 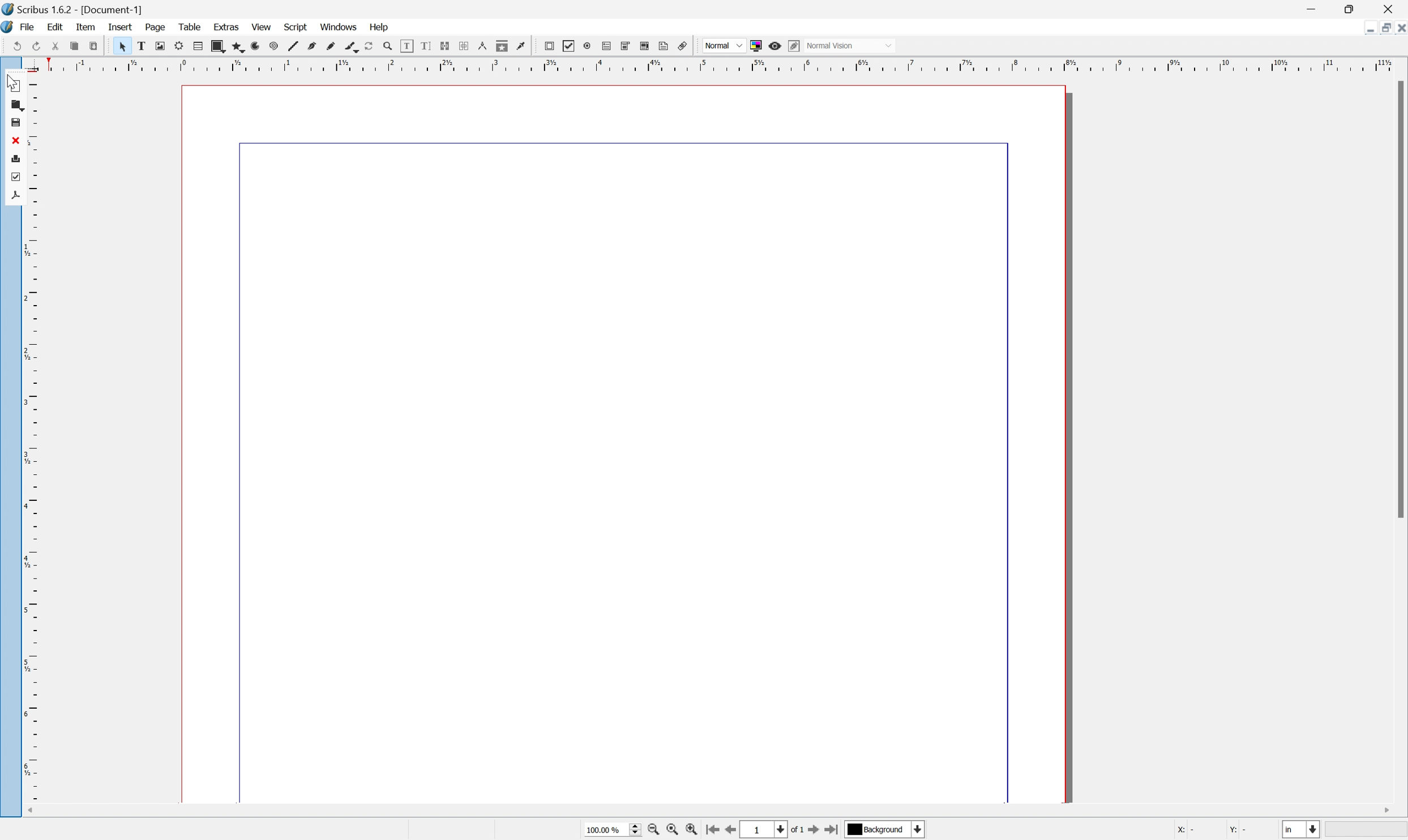 I want to click on restore down, so click(x=1383, y=29).